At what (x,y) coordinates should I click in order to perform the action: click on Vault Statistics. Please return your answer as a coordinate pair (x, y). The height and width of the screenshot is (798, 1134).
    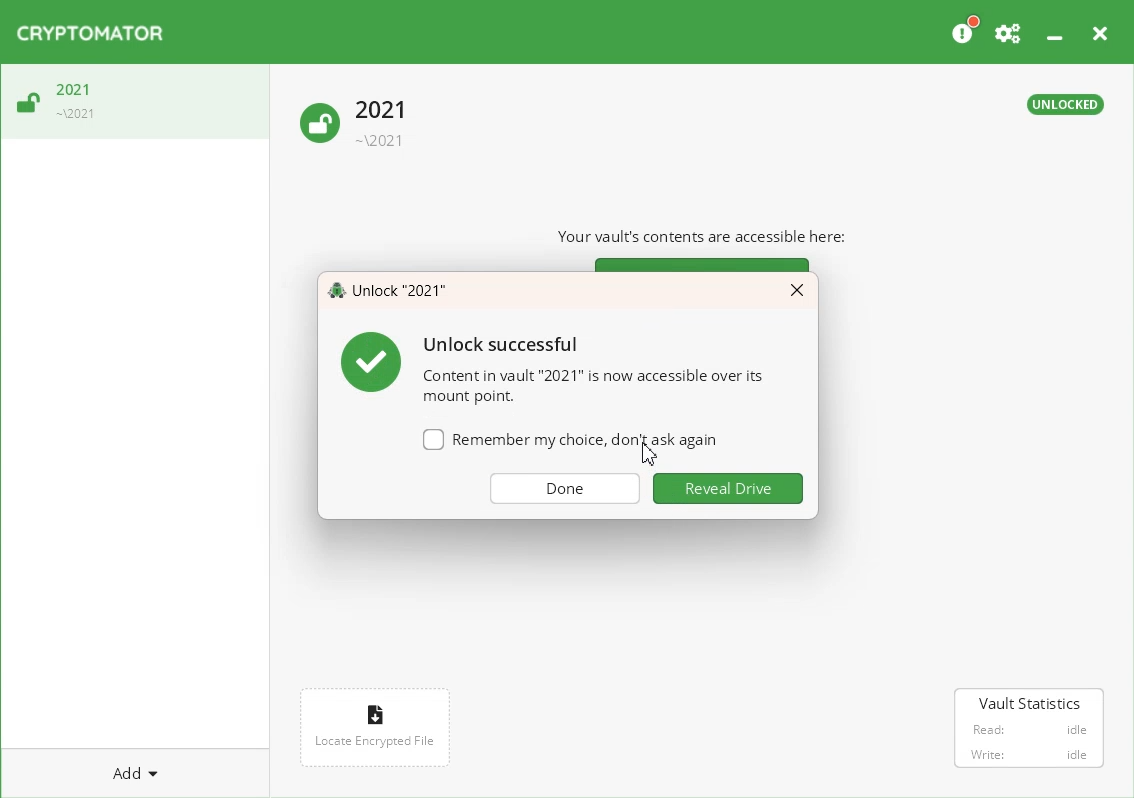
    Looking at the image, I should click on (1030, 730).